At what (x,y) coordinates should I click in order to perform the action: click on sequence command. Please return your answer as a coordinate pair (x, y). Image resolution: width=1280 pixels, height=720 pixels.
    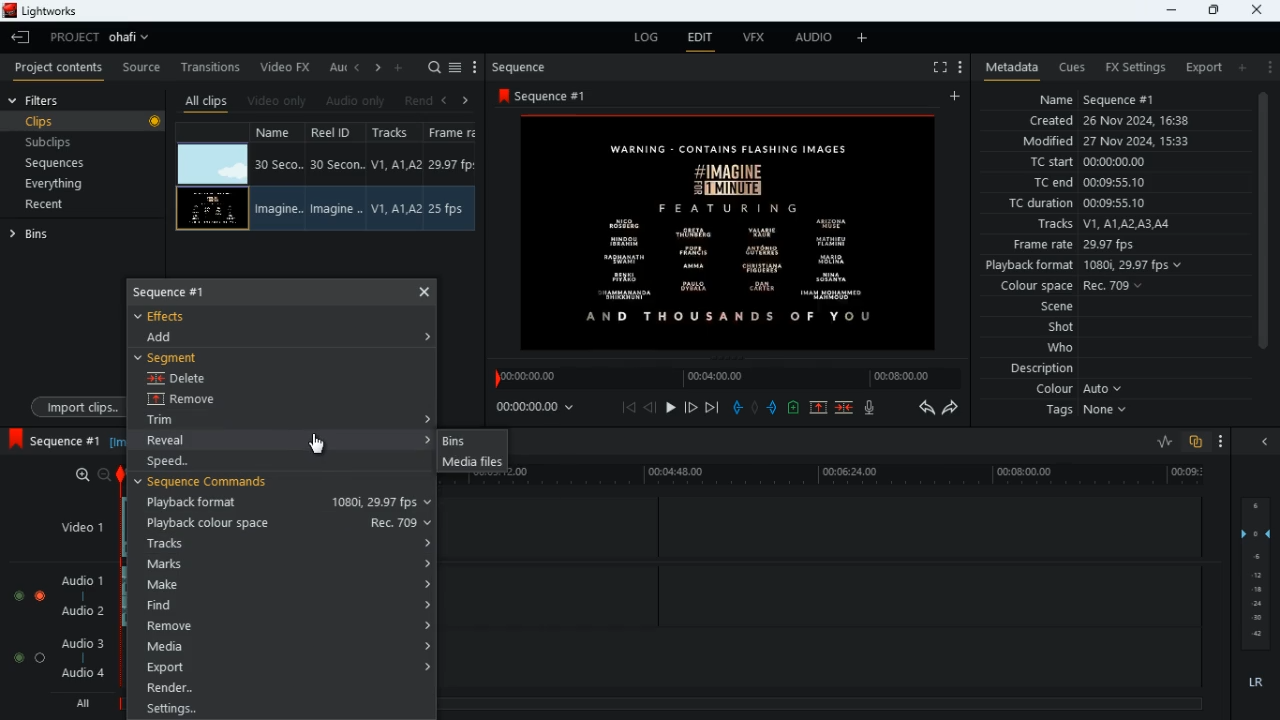
    Looking at the image, I should click on (210, 483).